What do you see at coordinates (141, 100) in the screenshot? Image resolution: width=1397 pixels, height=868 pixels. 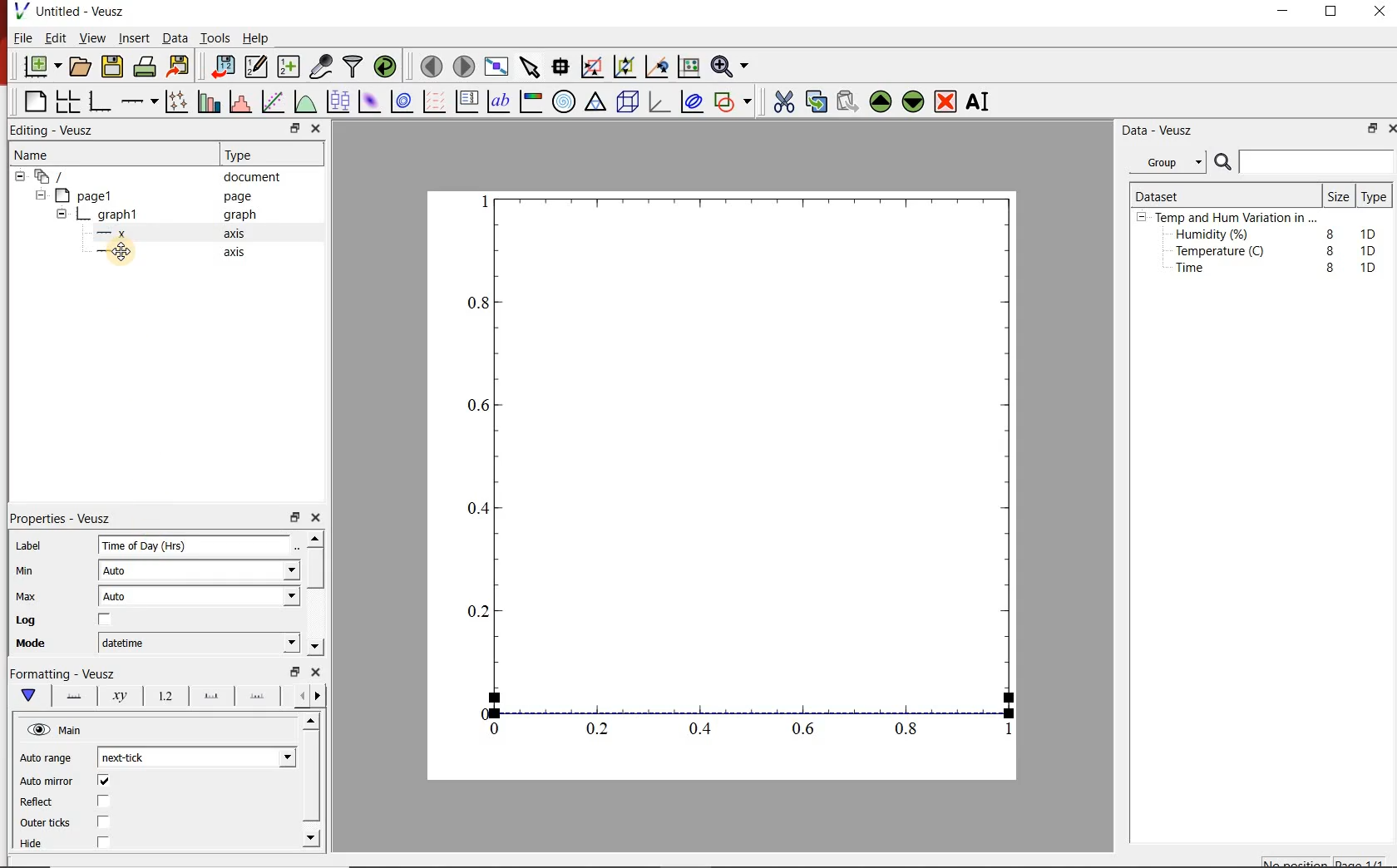 I see `add an axis to a plot` at bounding box center [141, 100].